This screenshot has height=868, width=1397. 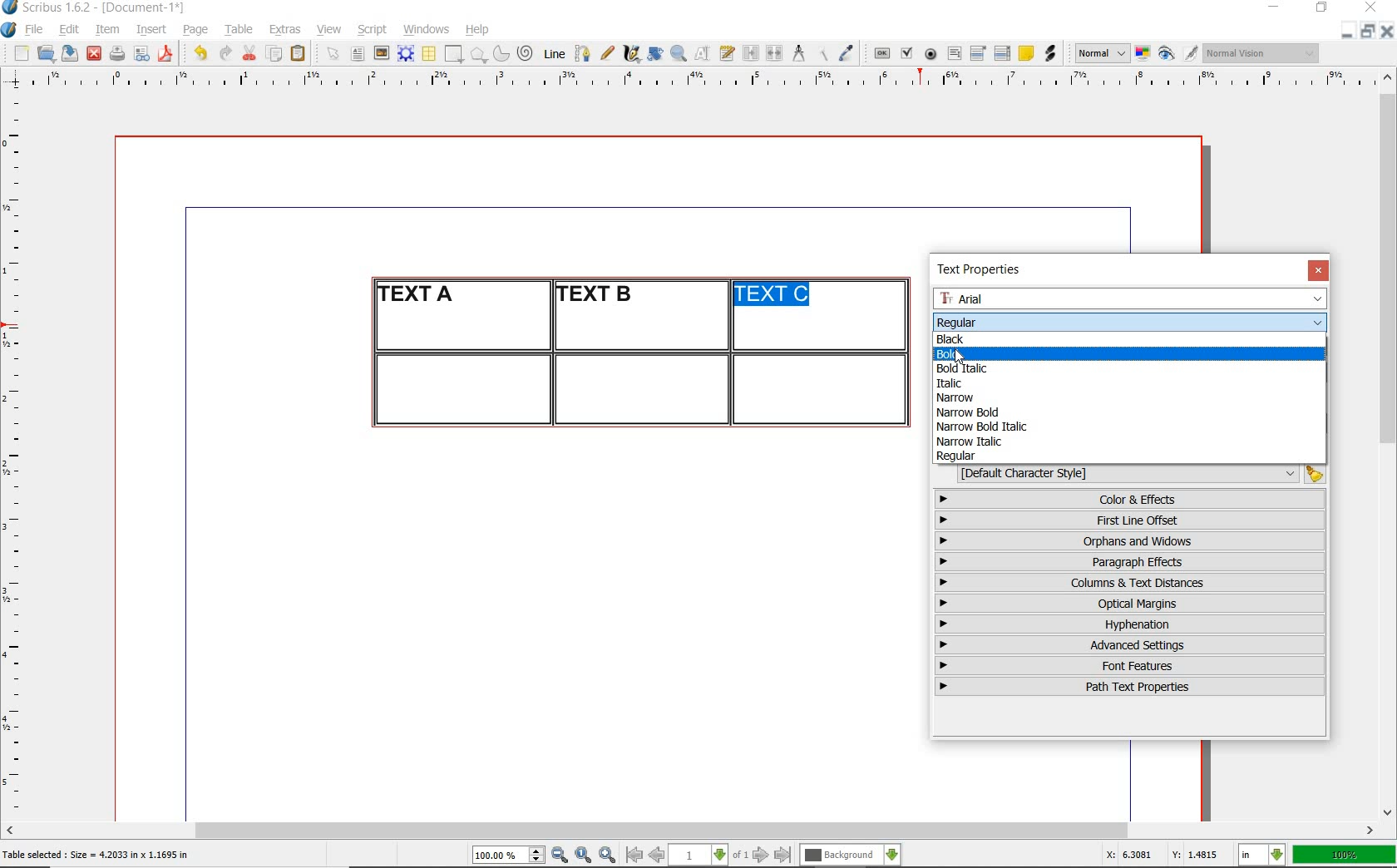 What do you see at coordinates (1165, 855) in the screenshot?
I see `X: 6.3081 Y: 1.4815` at bounding box center [1165, 855].